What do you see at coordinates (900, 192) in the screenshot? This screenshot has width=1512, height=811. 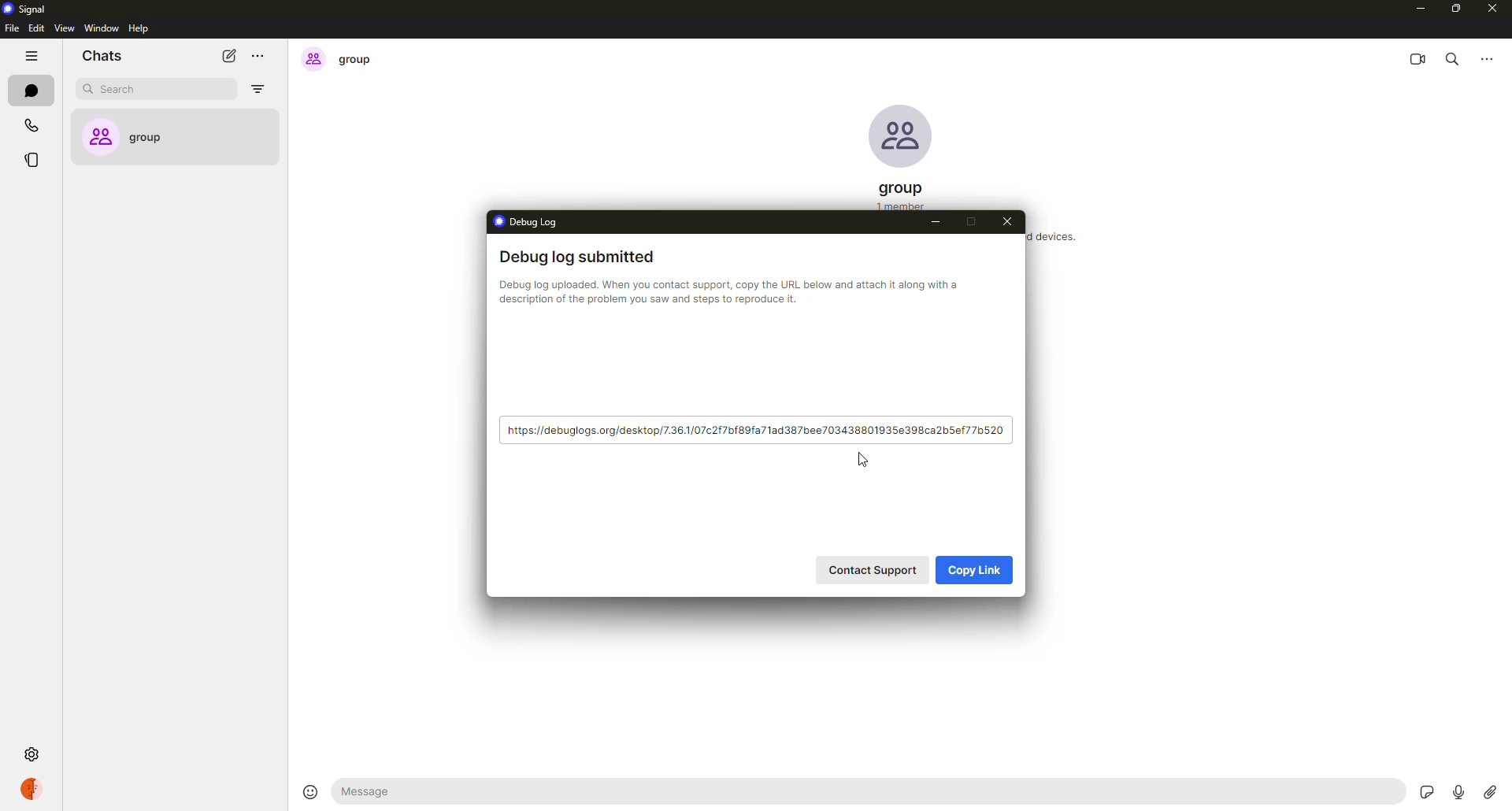 I see `group` at bounding box center [900, 192].